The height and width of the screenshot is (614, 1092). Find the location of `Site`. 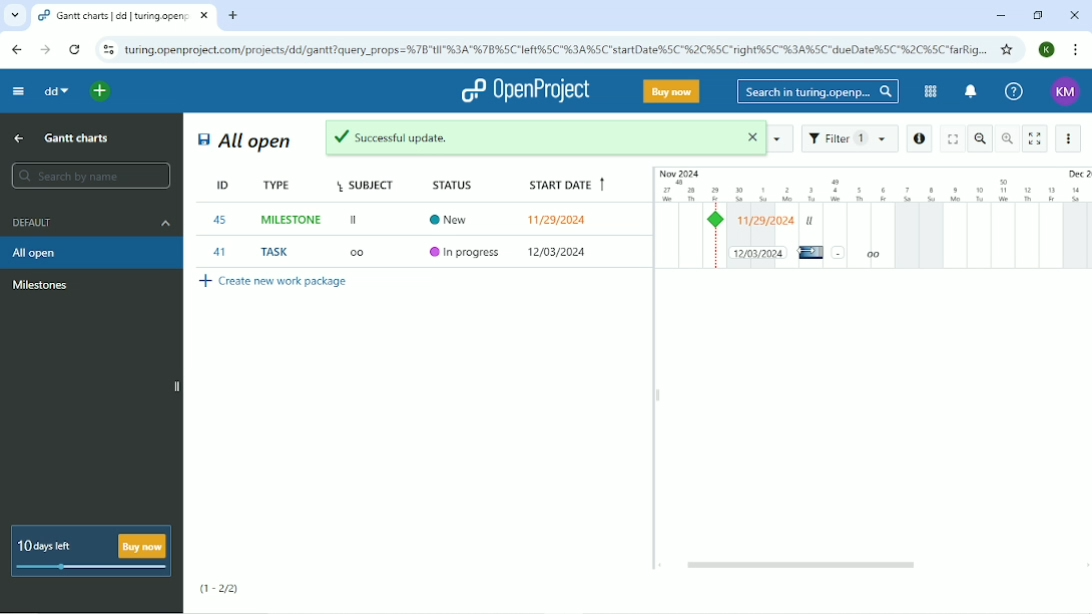

Site is located at coordinates (557, 49).